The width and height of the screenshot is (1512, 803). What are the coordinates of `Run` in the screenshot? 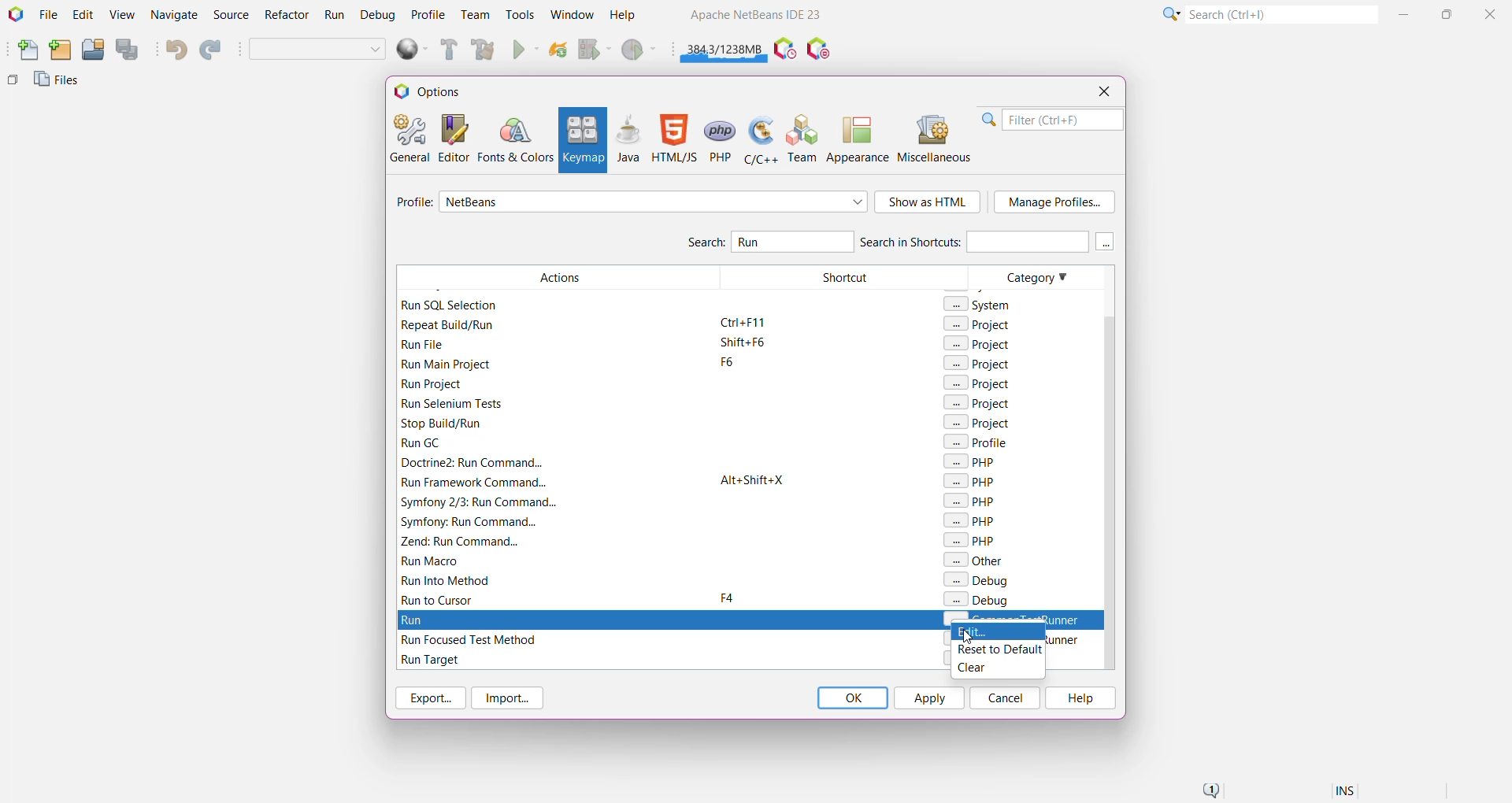 It's located at (335, 17).